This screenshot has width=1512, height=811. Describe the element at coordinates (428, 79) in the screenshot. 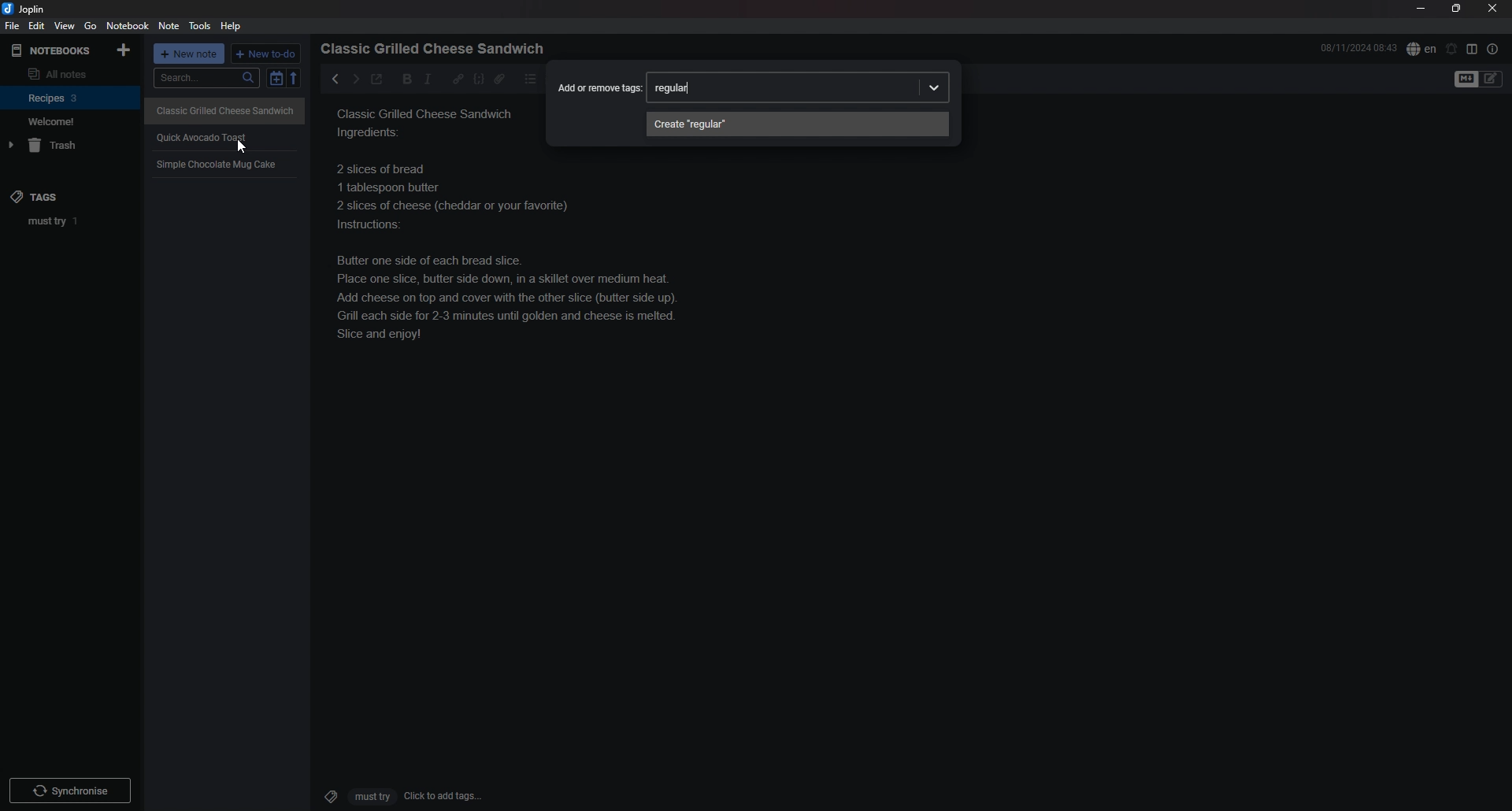

I see `italic` at that location.